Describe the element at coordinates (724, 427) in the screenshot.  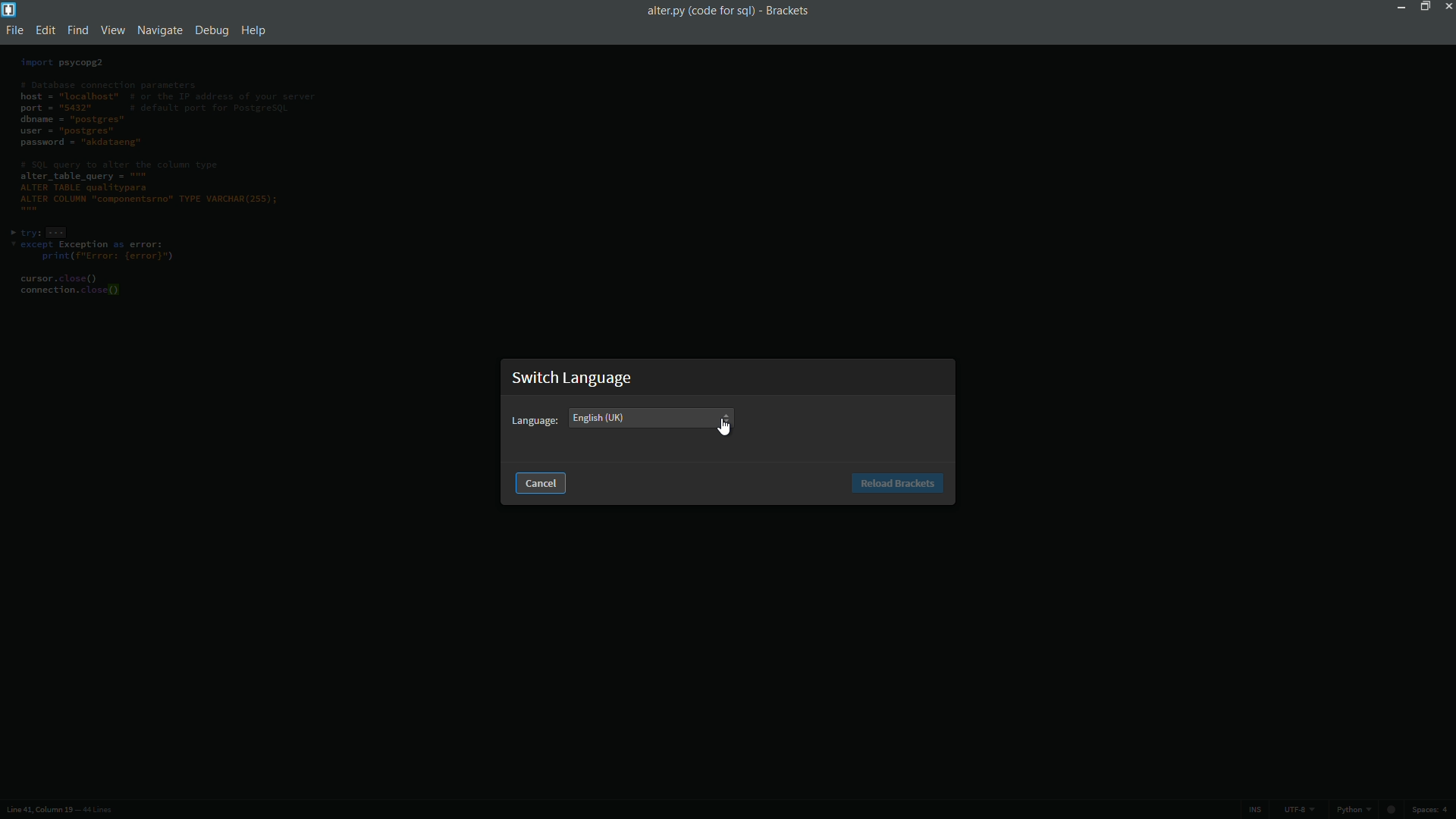
I see `cursor on dropdown` at that location.